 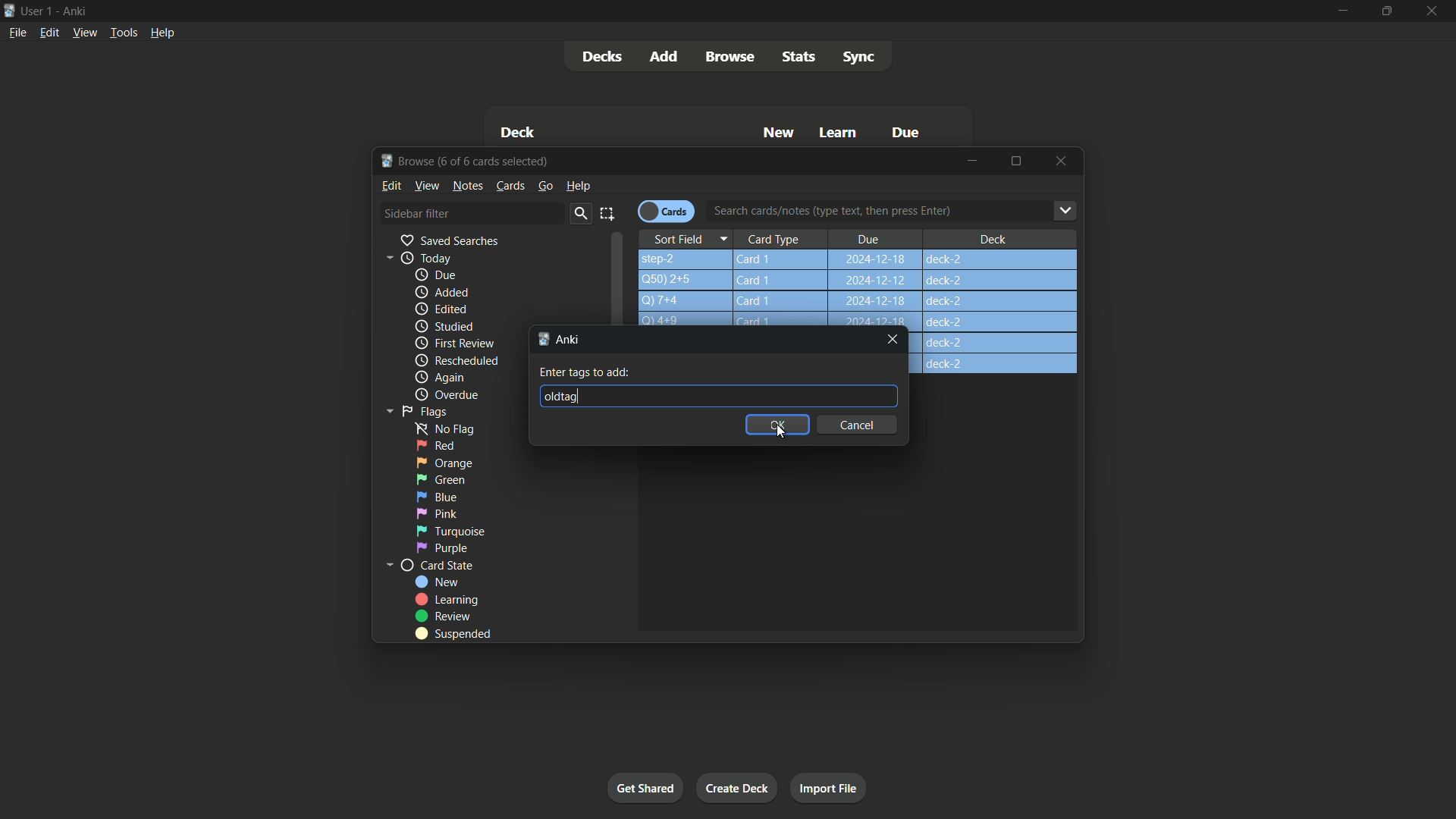 What do you see at coordinates (441, 480) in the screenshot?
I see `green` at bounding box center [441, 480].